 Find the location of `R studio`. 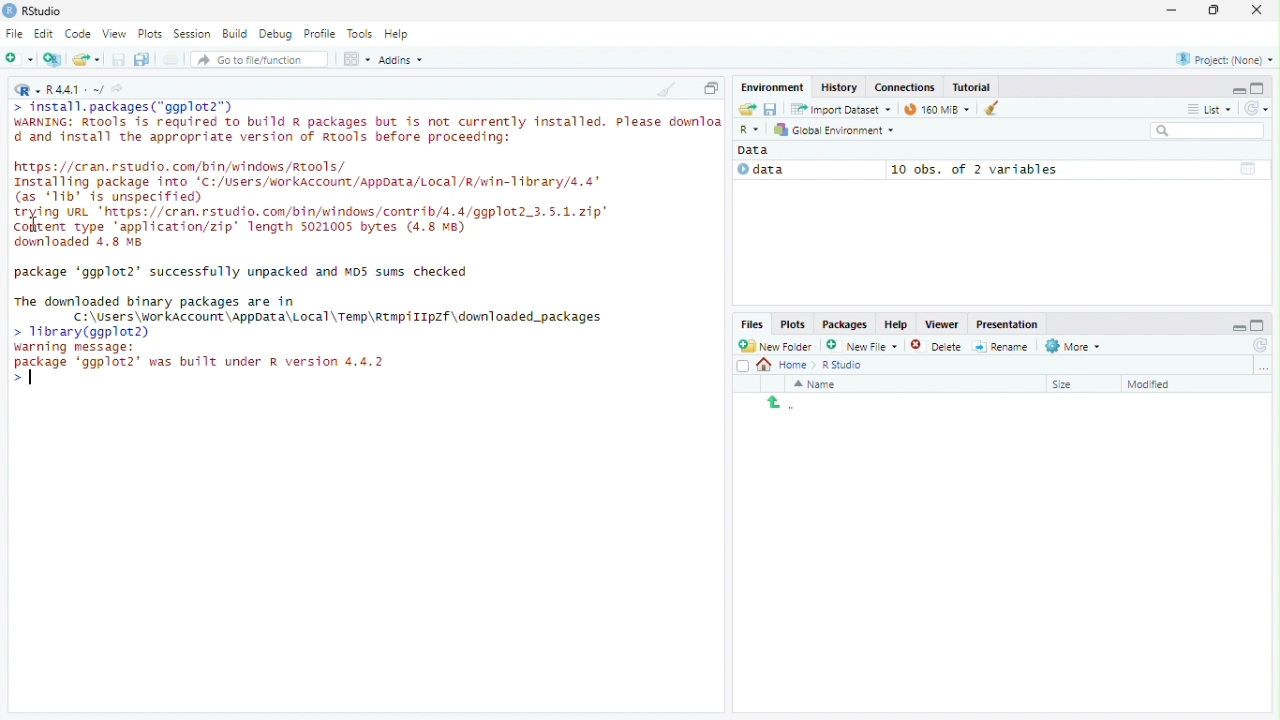

R studio is located at coordinates (842, 365).